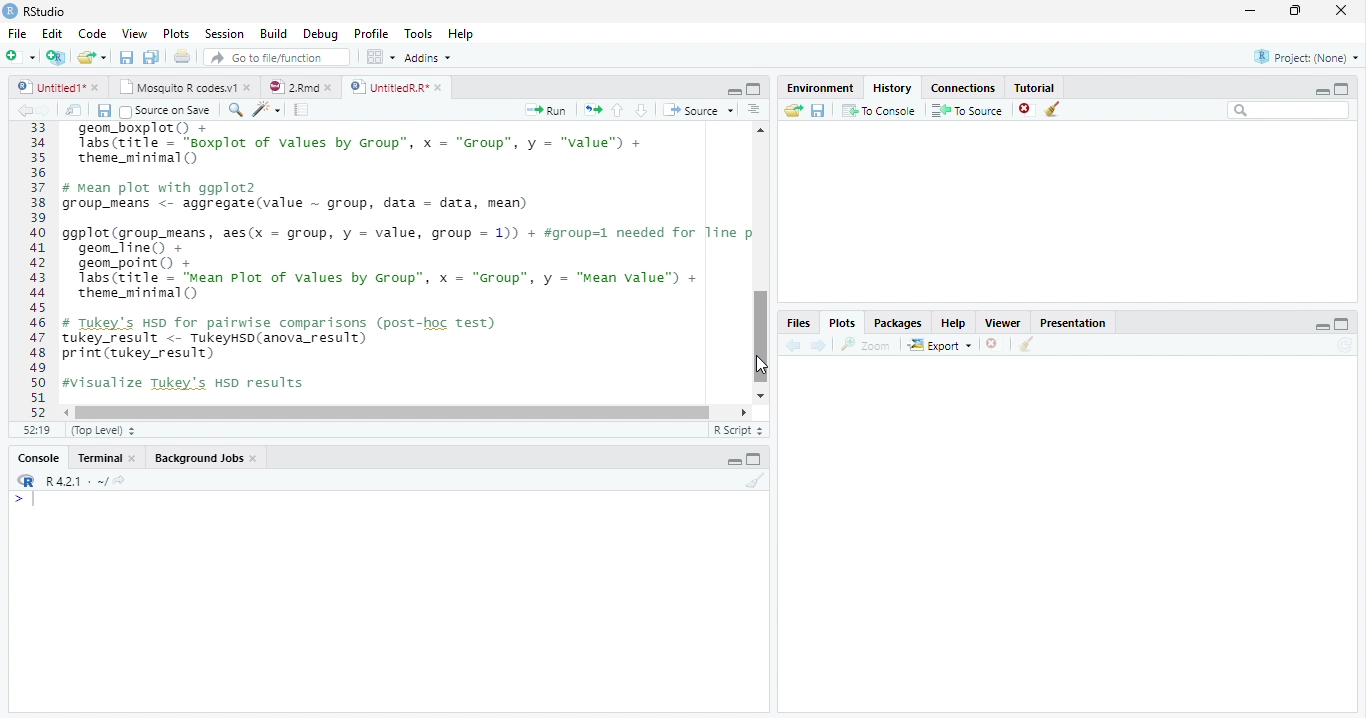 The height and width of the screenshot is (718, 1366). I want to click on Packages, so click(900, 323).